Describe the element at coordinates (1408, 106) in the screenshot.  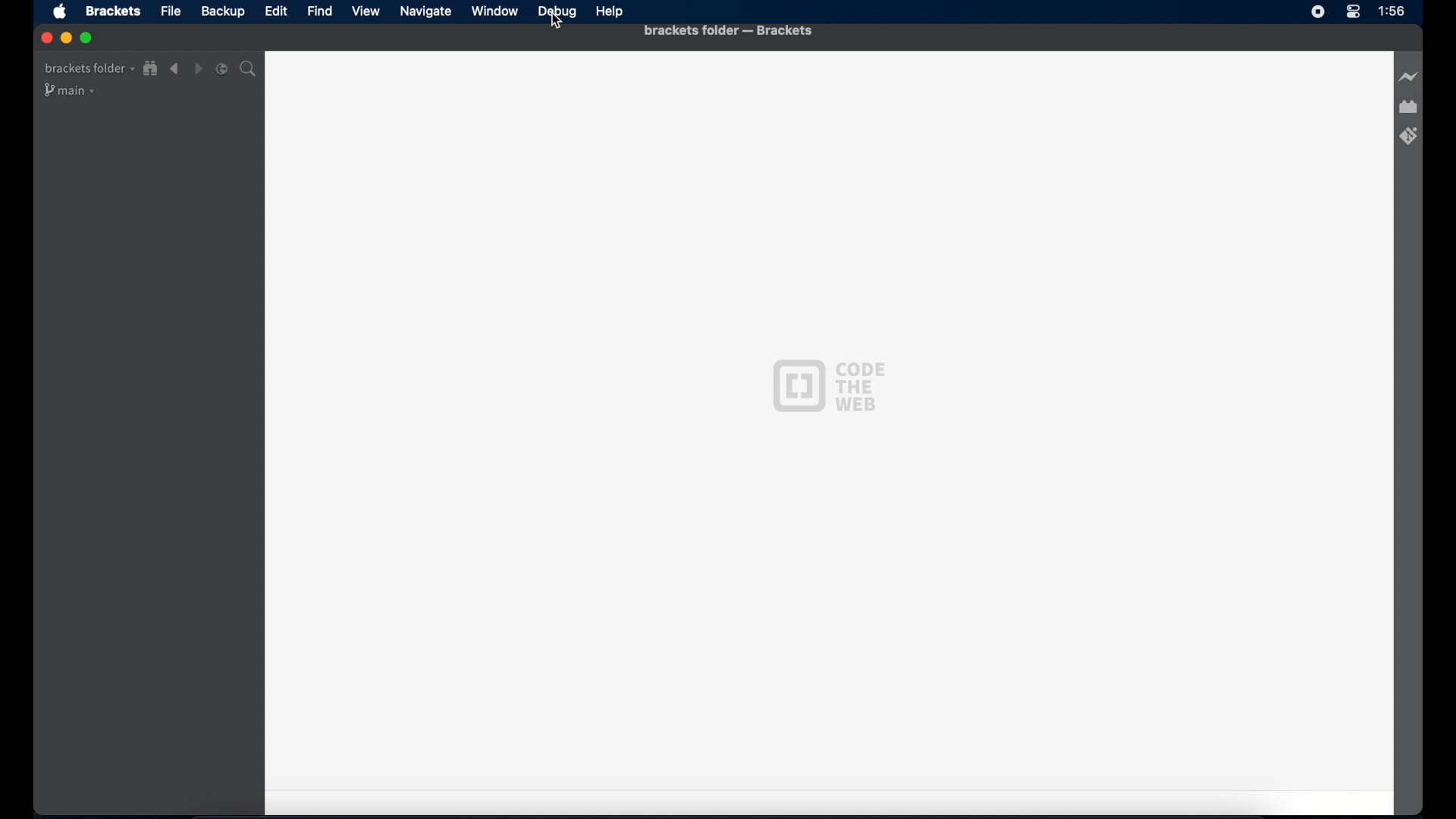
I see `extension manager` at that location.